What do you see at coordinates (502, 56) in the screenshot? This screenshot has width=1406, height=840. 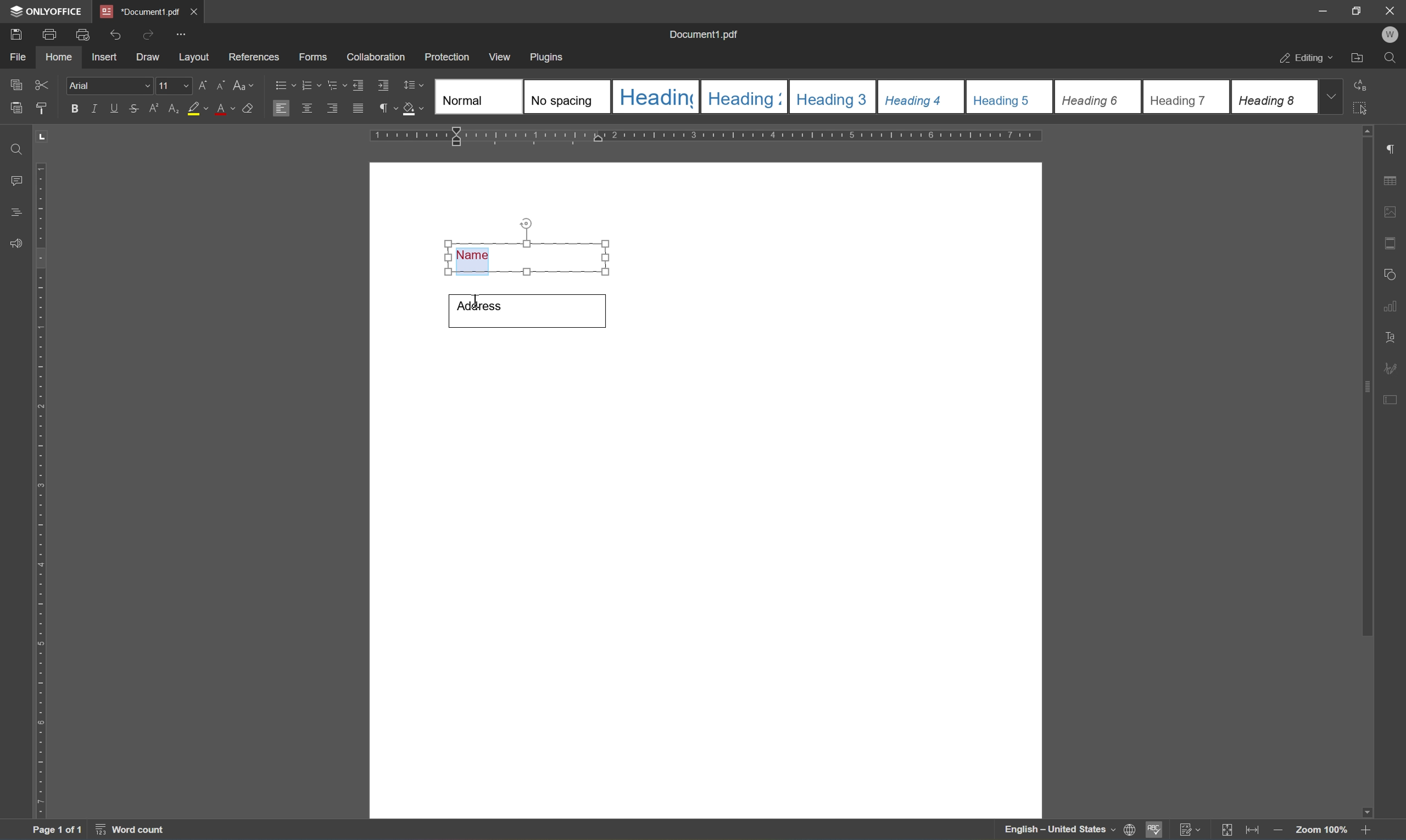 I see `view` at bounding box center [502, 56].